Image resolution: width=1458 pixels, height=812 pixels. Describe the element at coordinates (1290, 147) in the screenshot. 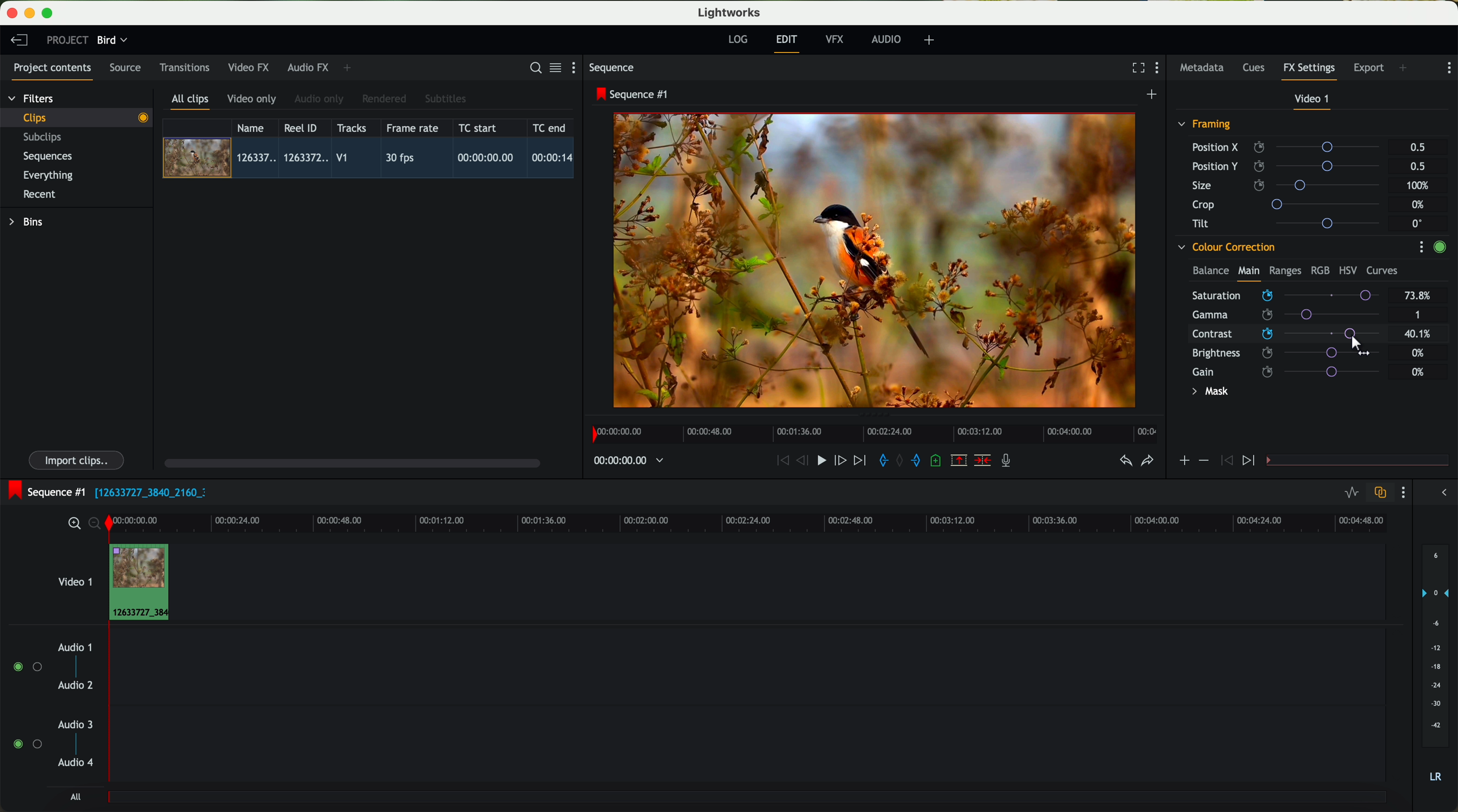

I see `position X` at that location.